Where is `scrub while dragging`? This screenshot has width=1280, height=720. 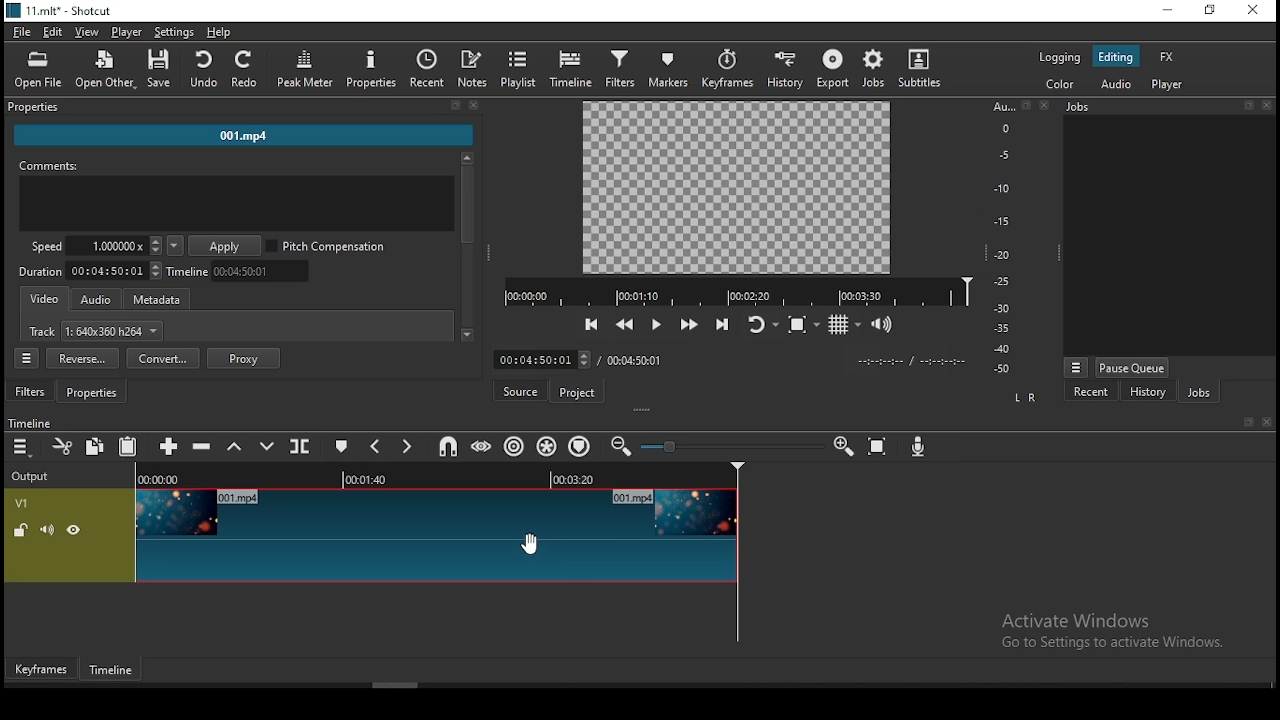
scrub while dragging is located at coordinates (480, 447).